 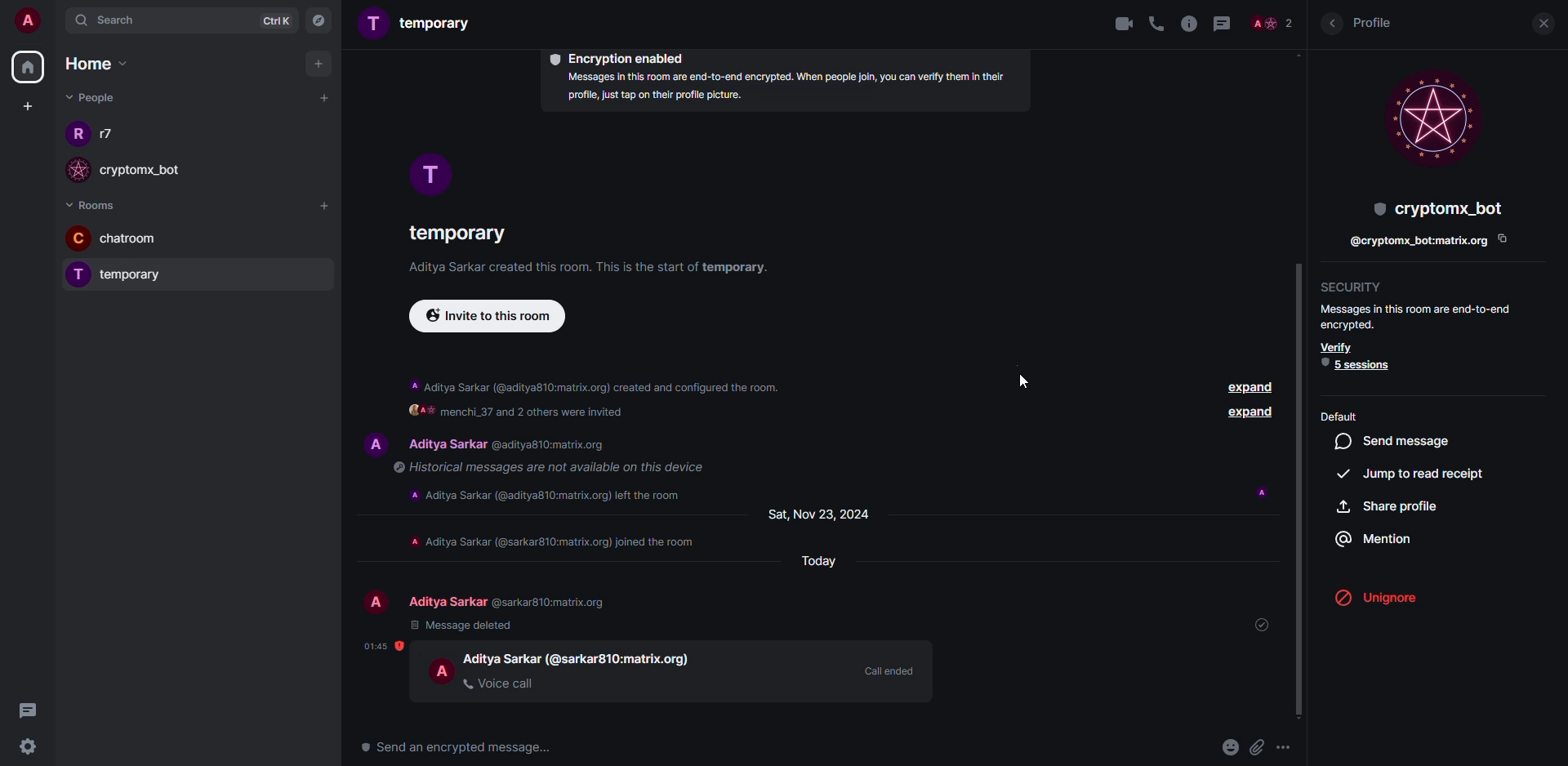 I want to click on people, so click(x=154, y=175).